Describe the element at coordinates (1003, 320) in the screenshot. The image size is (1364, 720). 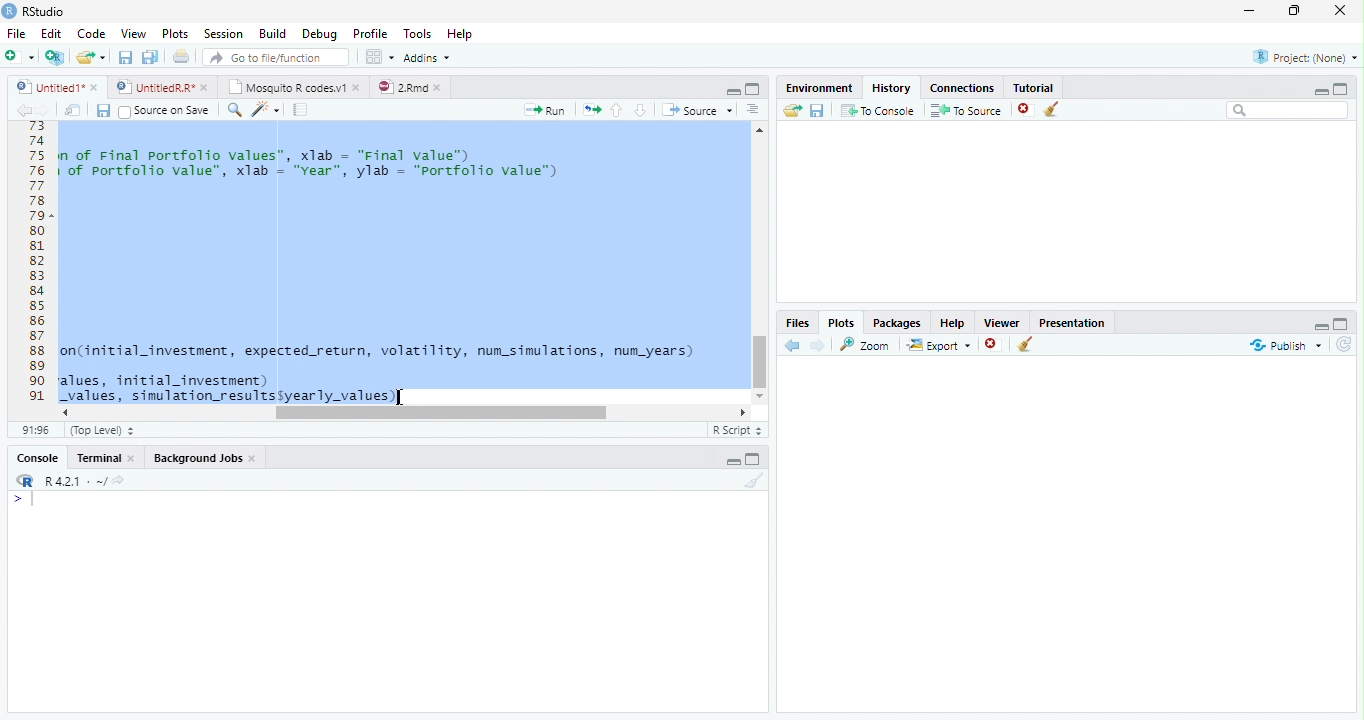
I see `Viewer` at that location.